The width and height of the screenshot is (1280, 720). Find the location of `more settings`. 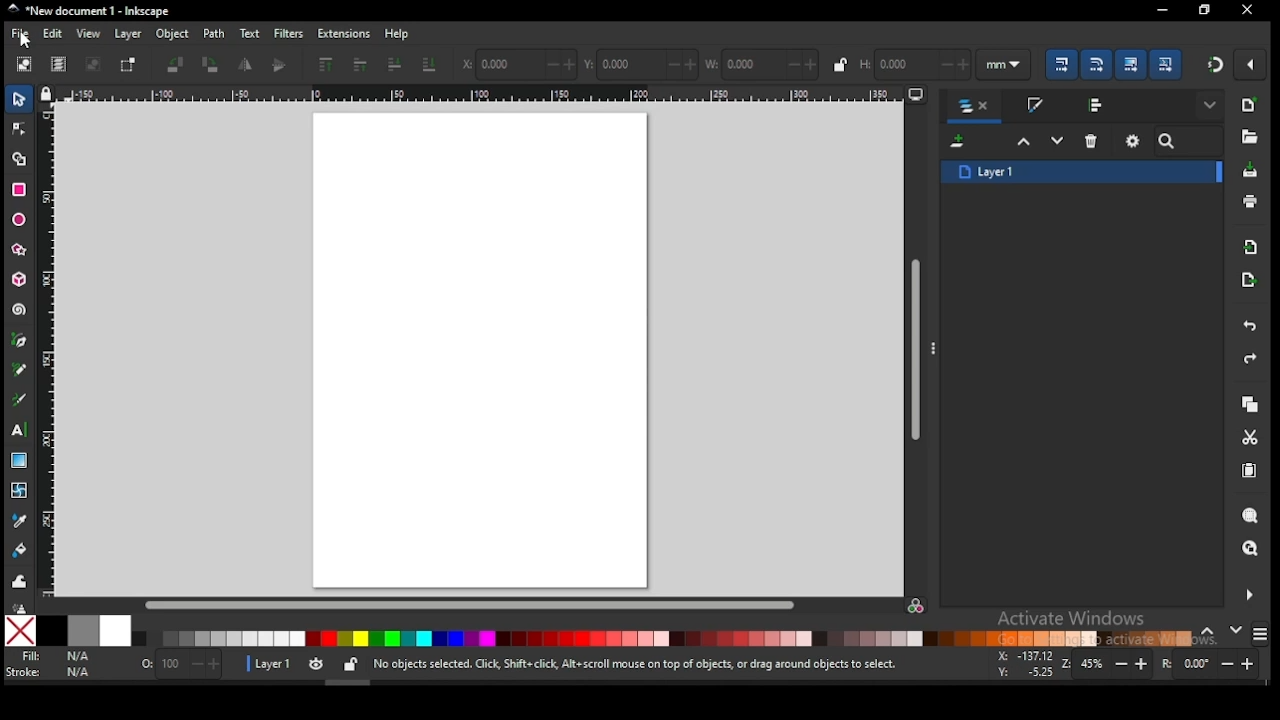

more settings is located at coordinates (1247, 595).